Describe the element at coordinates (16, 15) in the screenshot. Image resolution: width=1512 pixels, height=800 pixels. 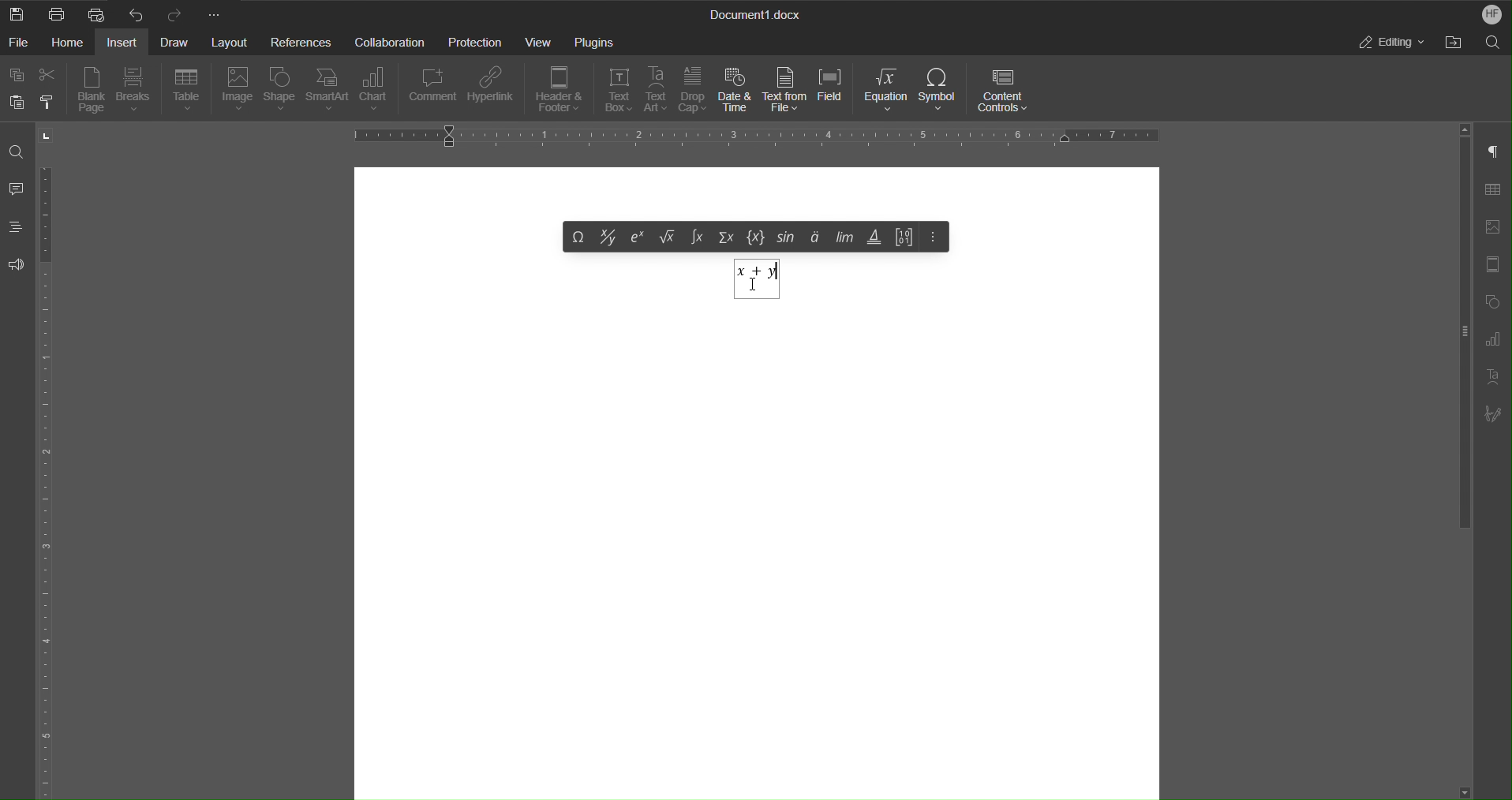
I see `New` at that location.